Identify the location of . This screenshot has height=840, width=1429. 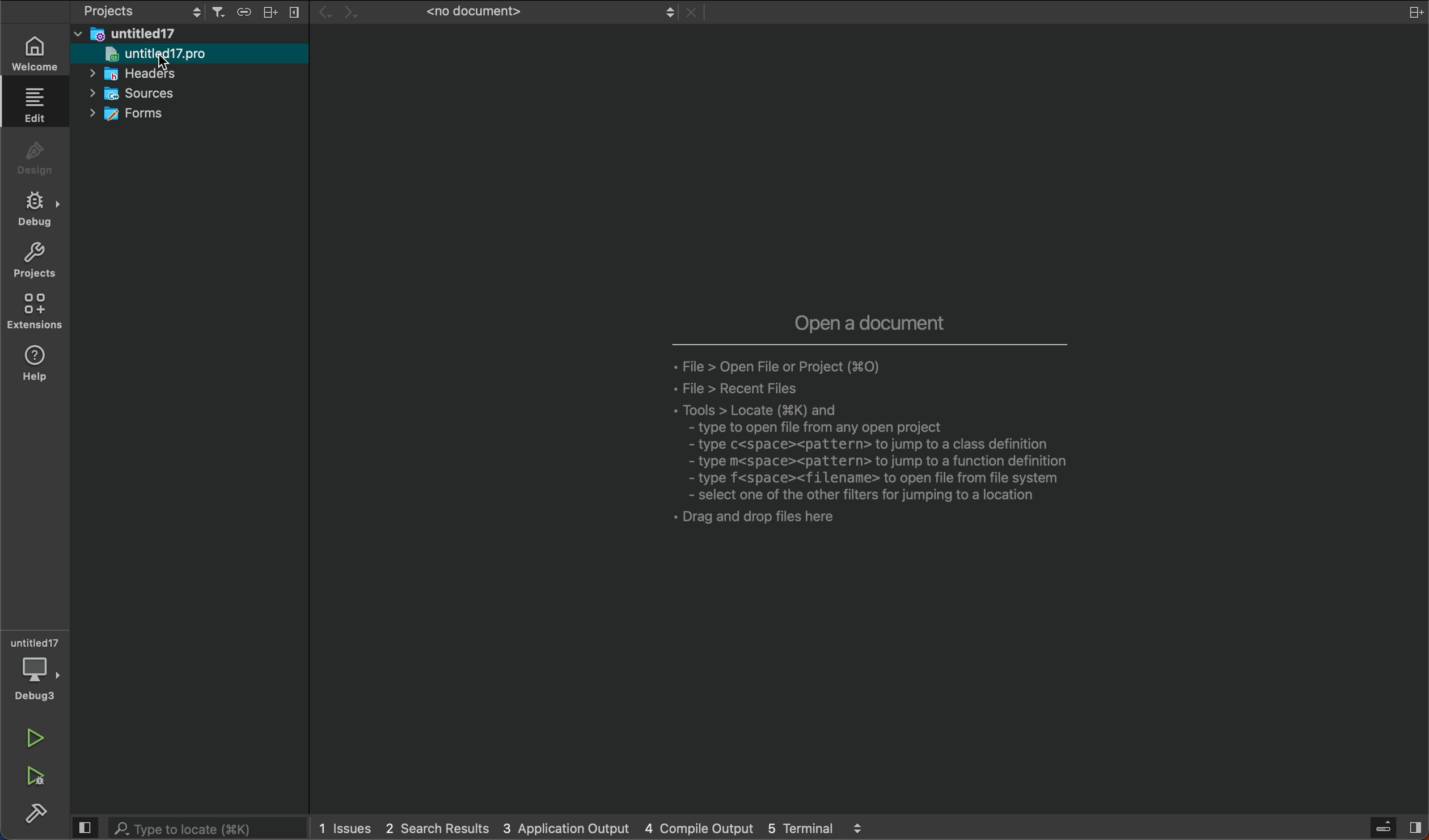
(297, 12).